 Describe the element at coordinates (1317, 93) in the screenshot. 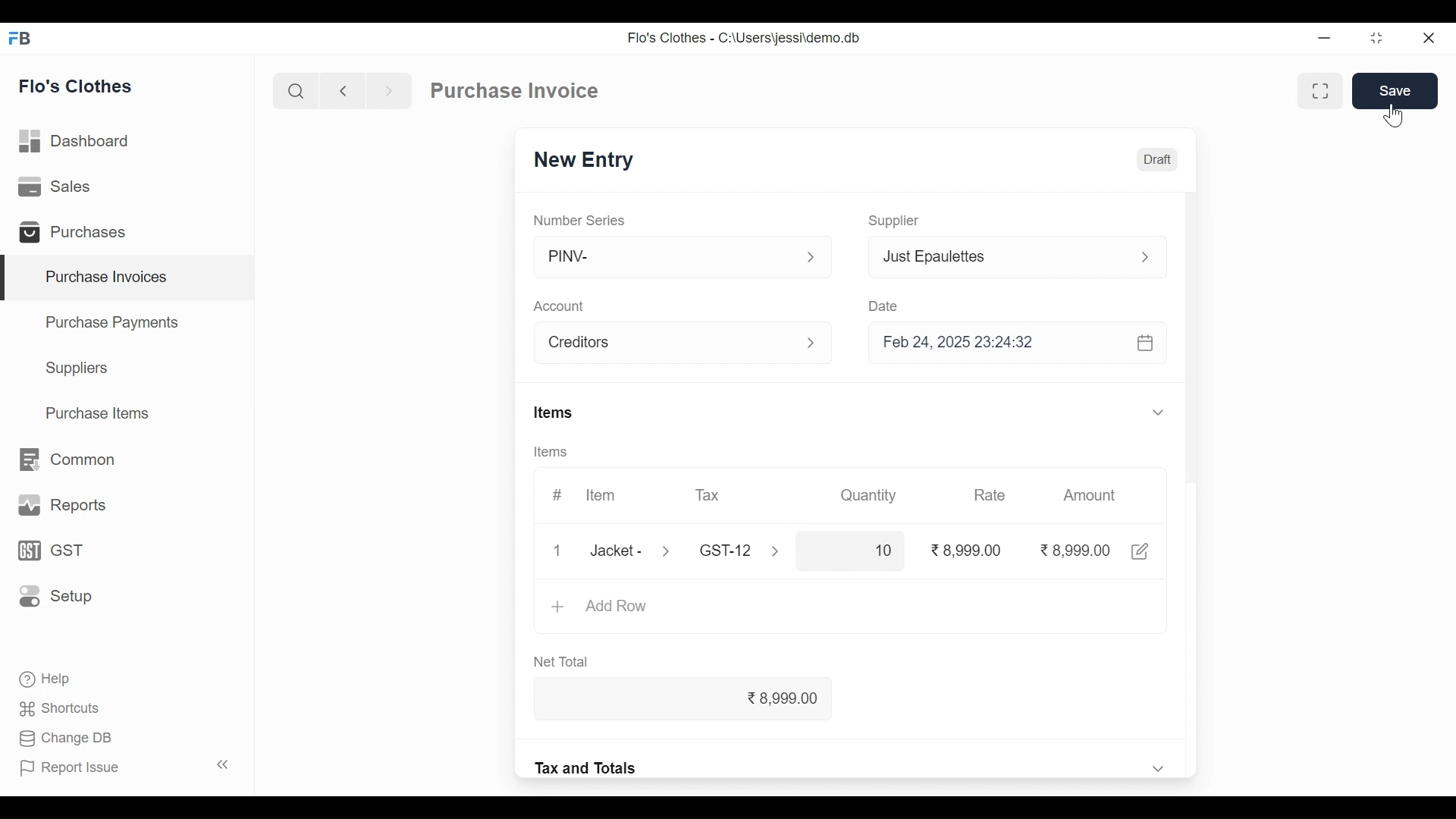

I see `Toggle between form and full width` at that location.